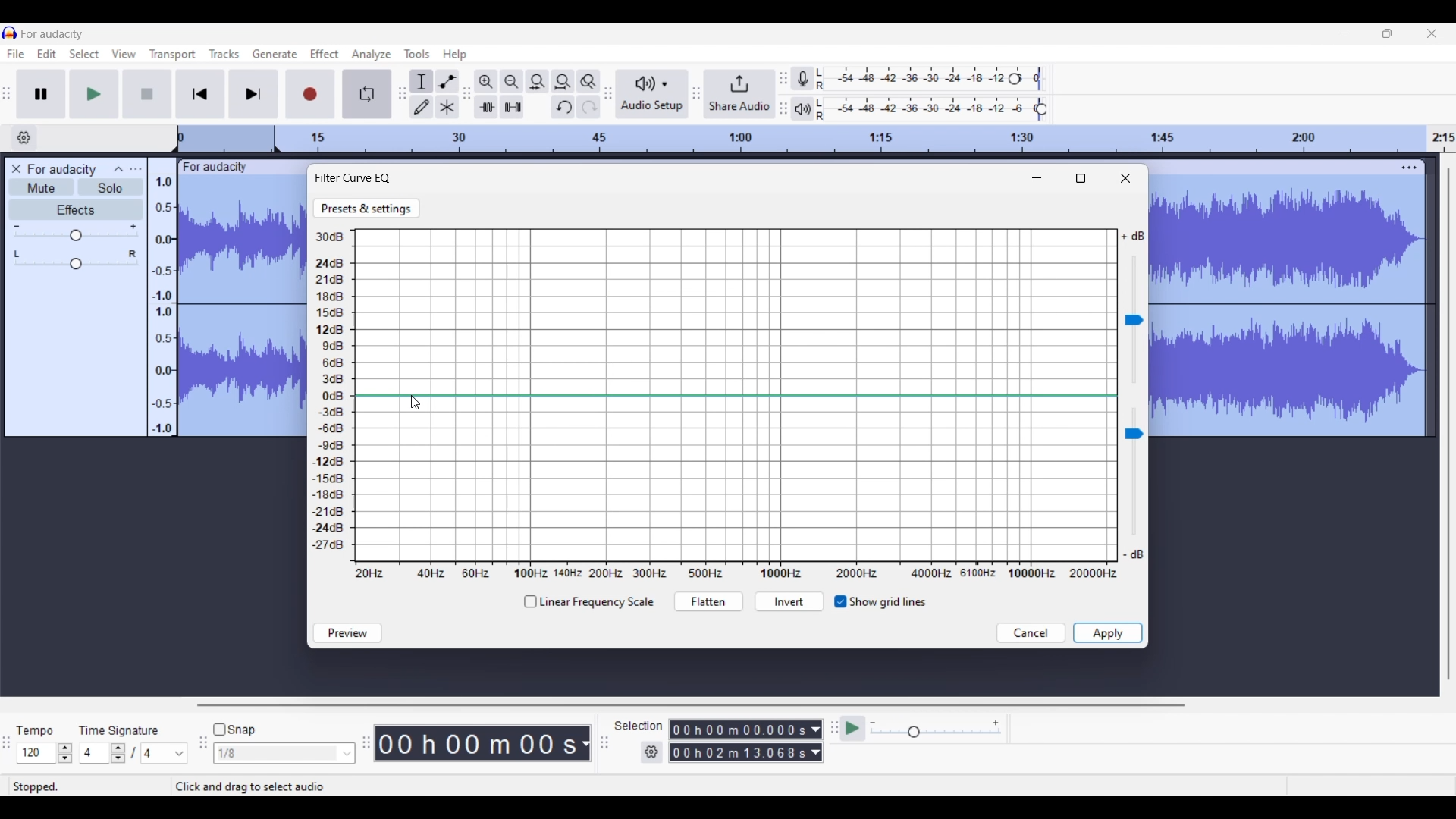 This screenshot has height=819, width=1456. Describe the element at coordinates (803, 78) in the screenshot. I see `Record meter` at that location.